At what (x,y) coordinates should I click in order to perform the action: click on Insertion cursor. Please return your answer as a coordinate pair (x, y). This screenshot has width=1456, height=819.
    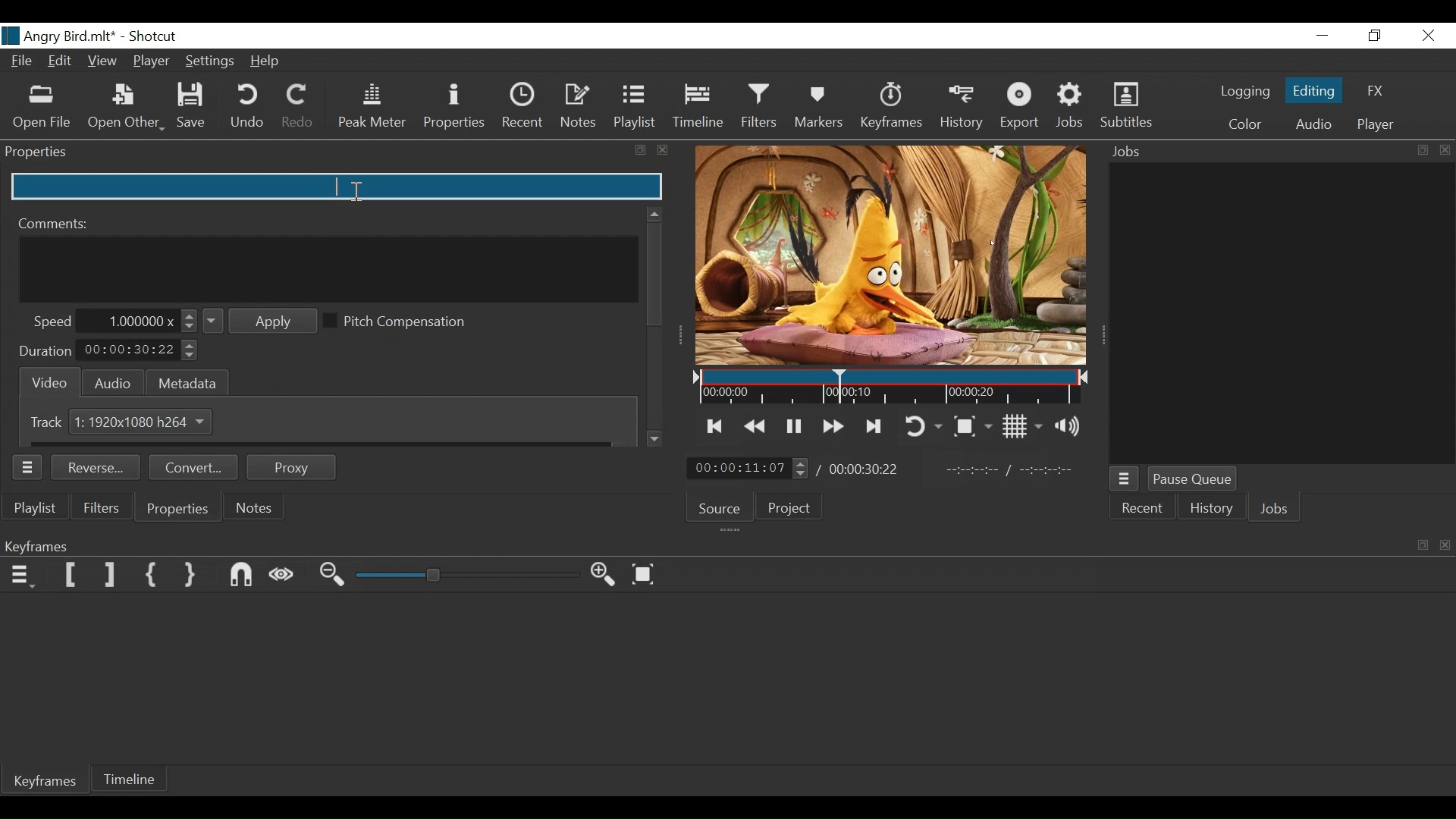
    Looking at the image, I should click on (356, 191).